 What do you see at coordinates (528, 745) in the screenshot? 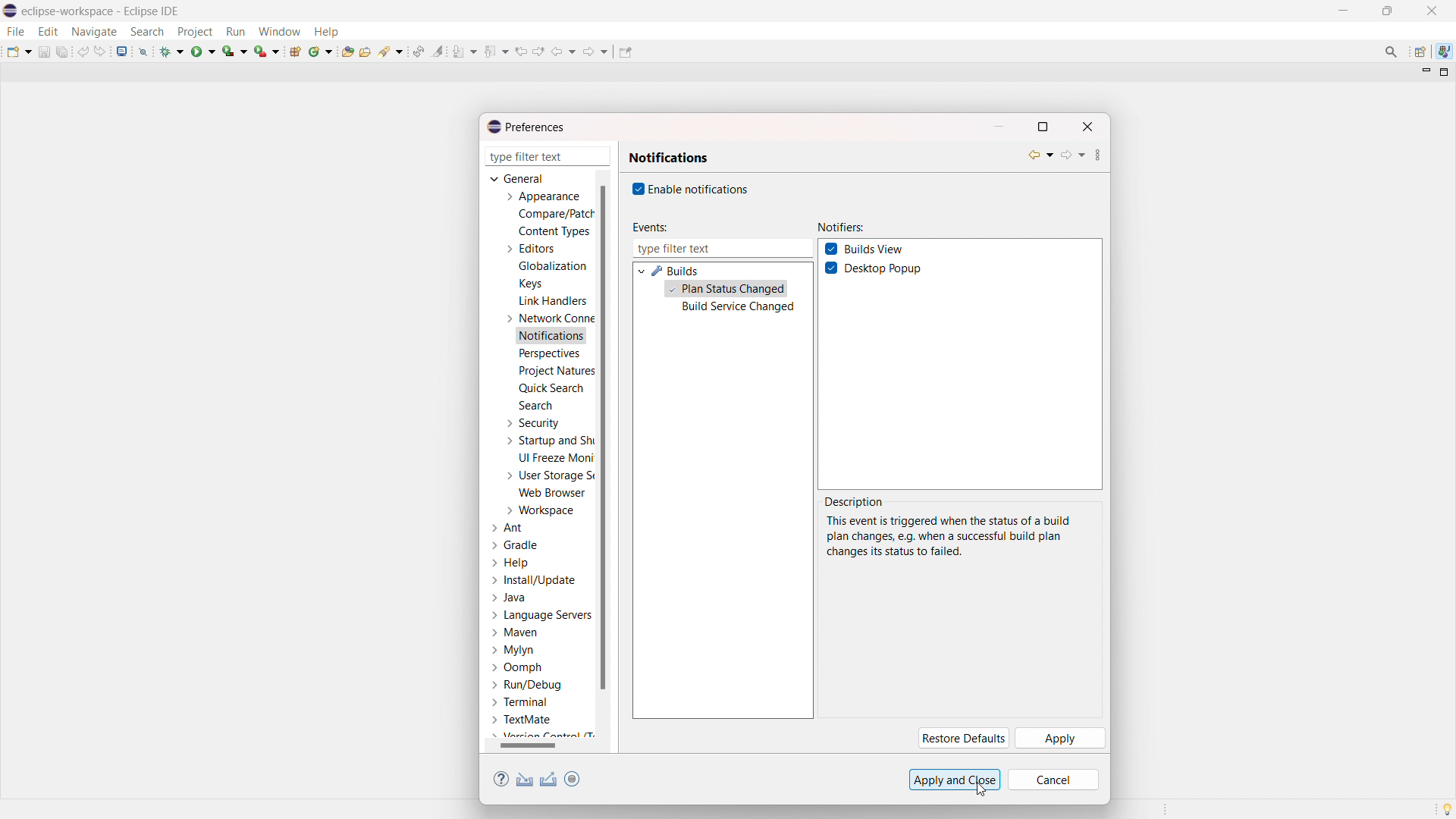
I see `horizontal scrollbar` at bounding box center [528, 745].